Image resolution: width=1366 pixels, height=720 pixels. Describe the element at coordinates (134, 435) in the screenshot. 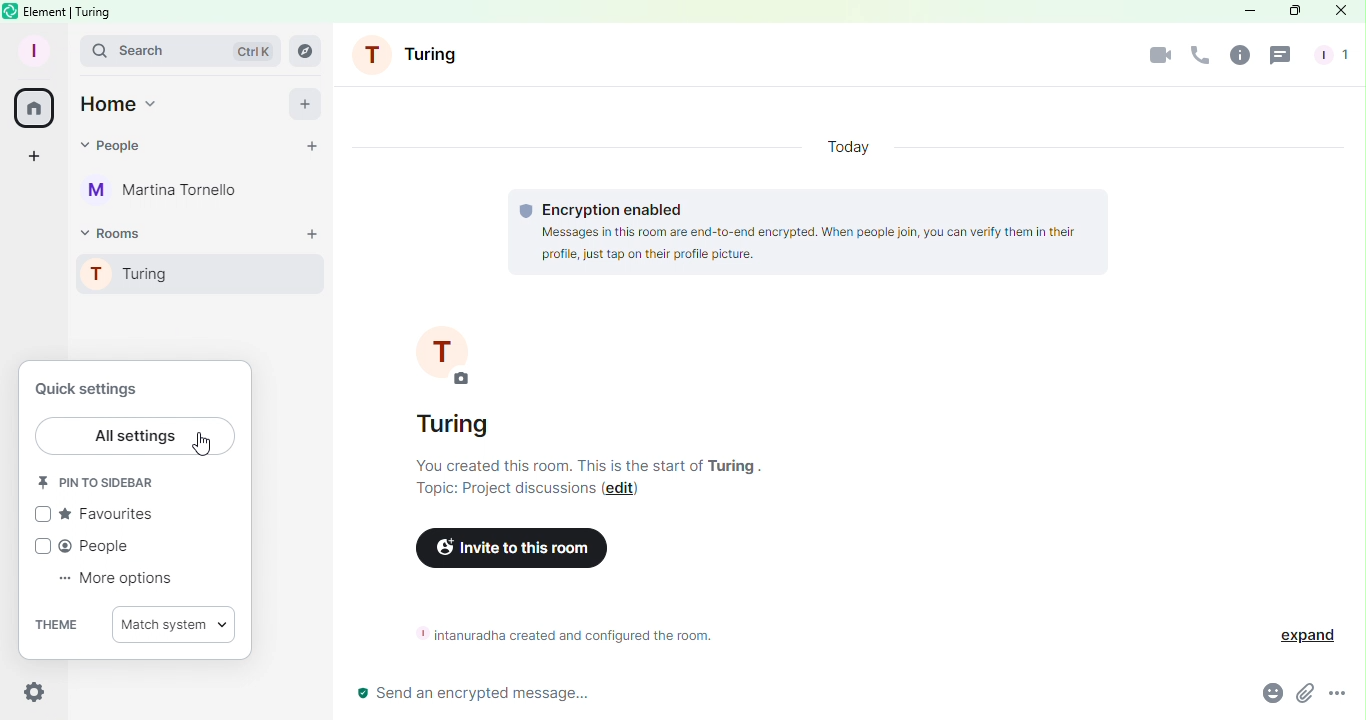

I see `All settings` at that location.